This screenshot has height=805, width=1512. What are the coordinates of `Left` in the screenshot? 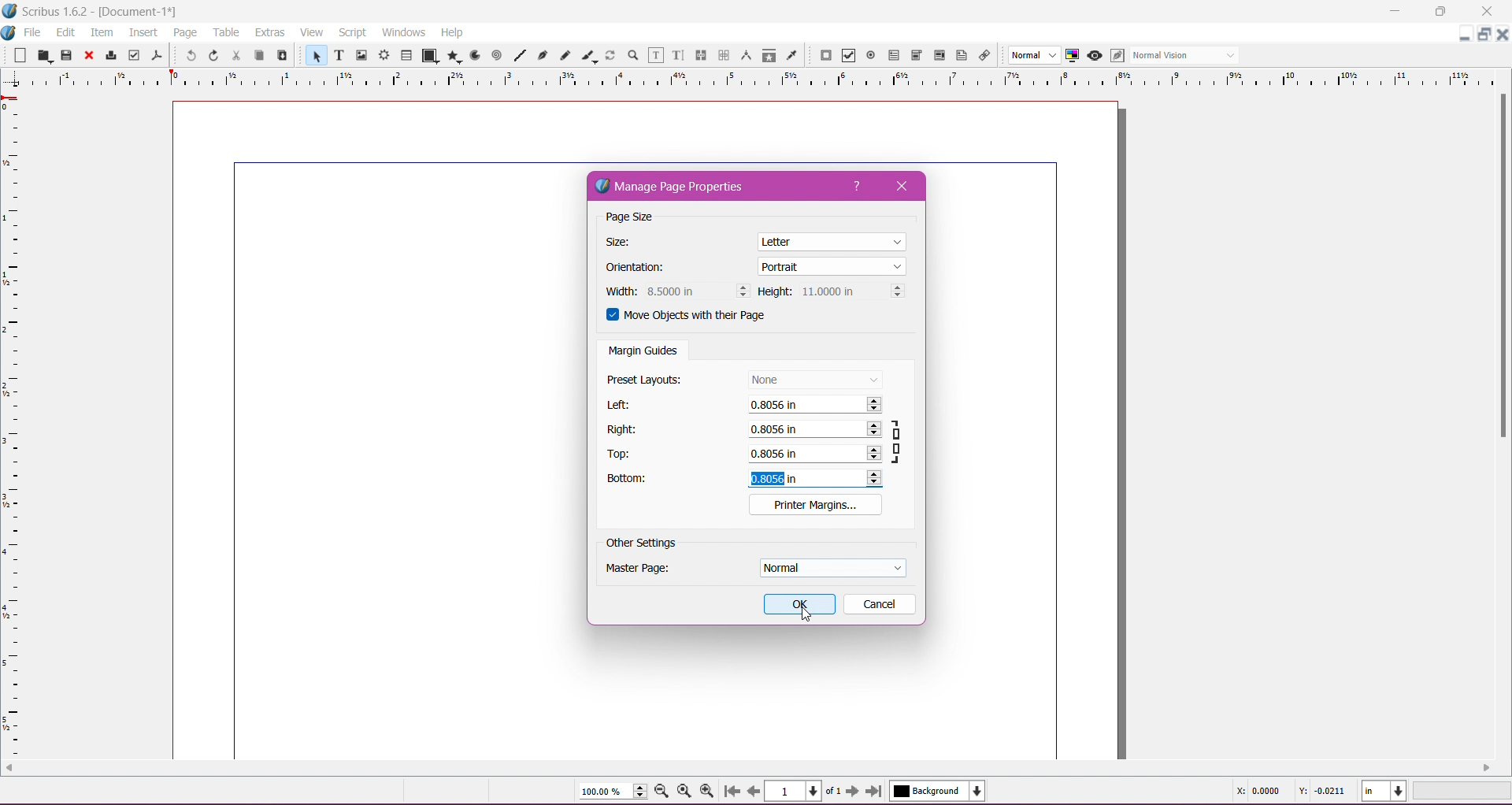 It's located at (621, 405).